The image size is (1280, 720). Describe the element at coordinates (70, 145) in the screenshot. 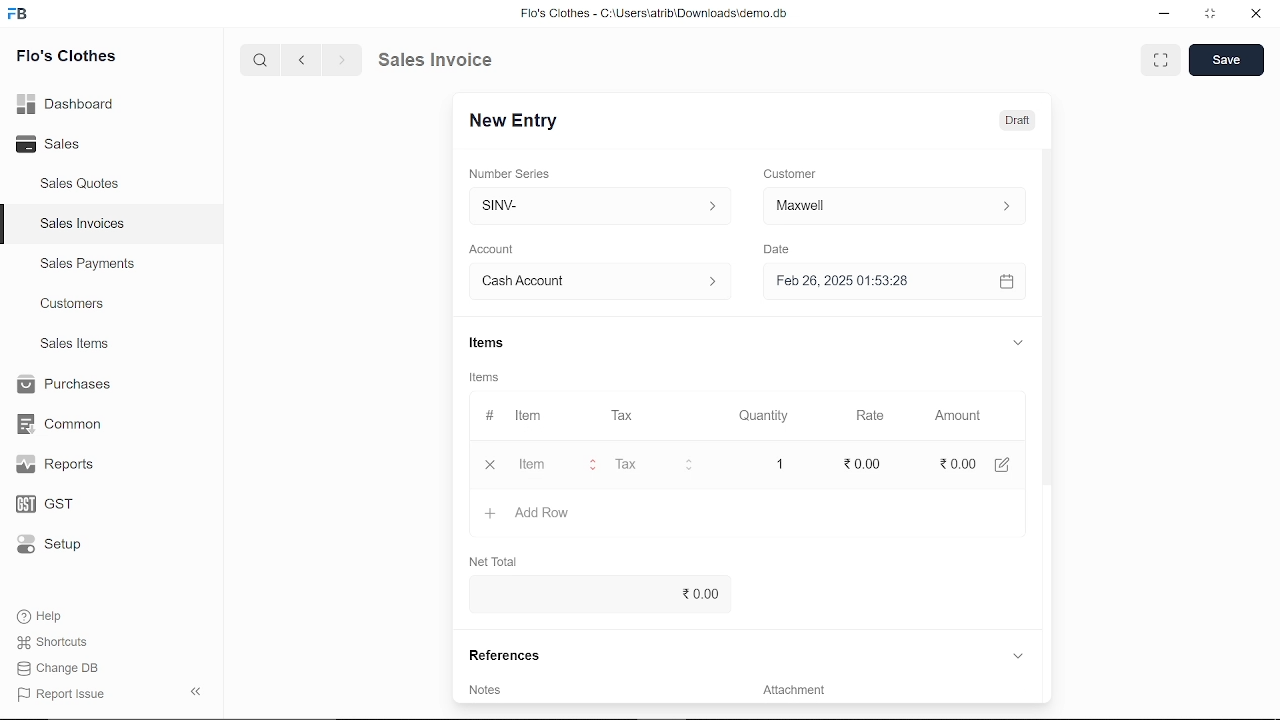

I see `Sales` at that location.